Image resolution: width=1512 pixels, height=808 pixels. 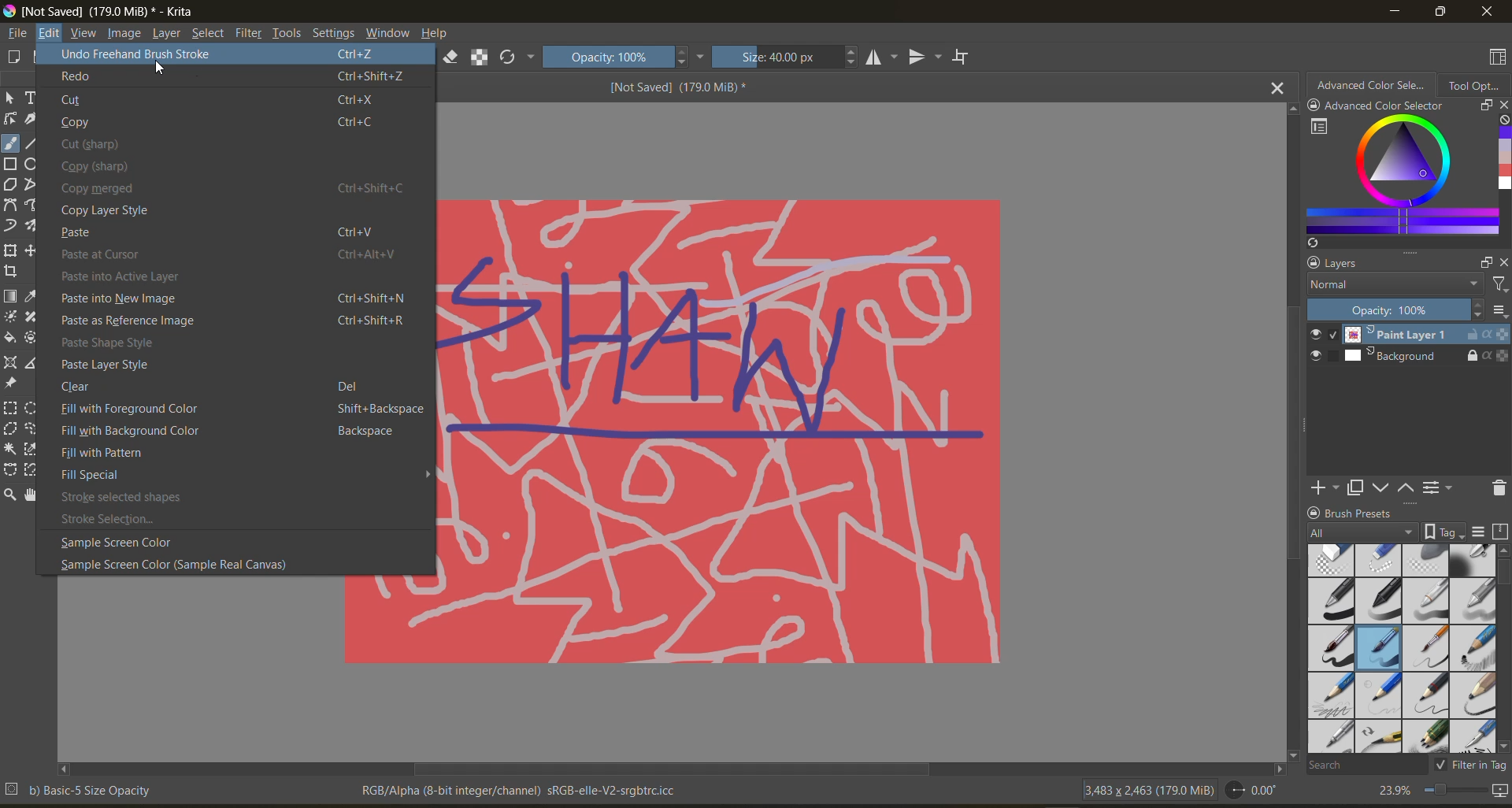 I want to click on undo forehand brush stroke   Ctrl+Z, so click(x=230, y=55).